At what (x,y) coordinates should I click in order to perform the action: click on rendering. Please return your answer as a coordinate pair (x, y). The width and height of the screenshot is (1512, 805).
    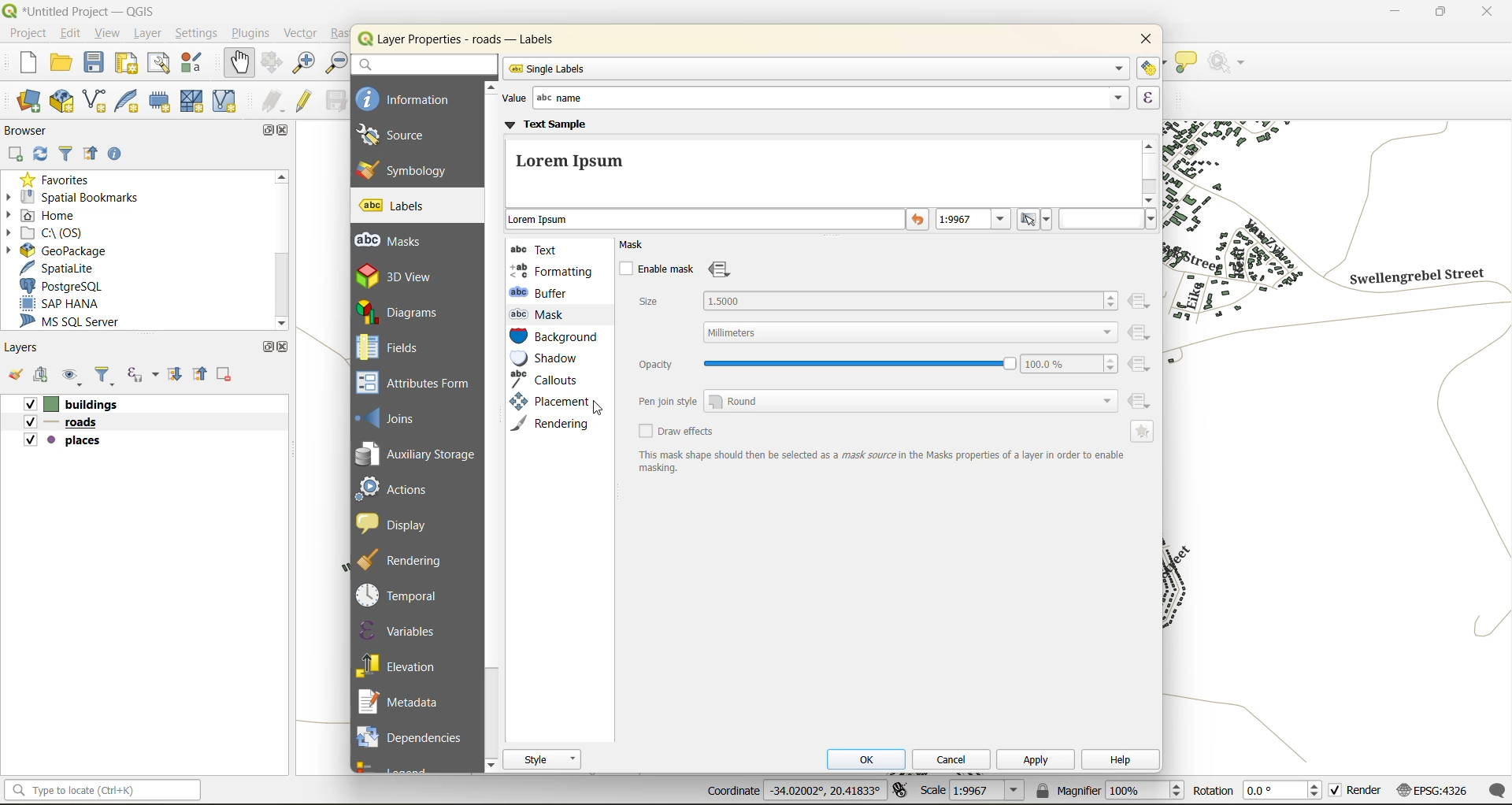
    Looking at the image, I should click on (556, 423).